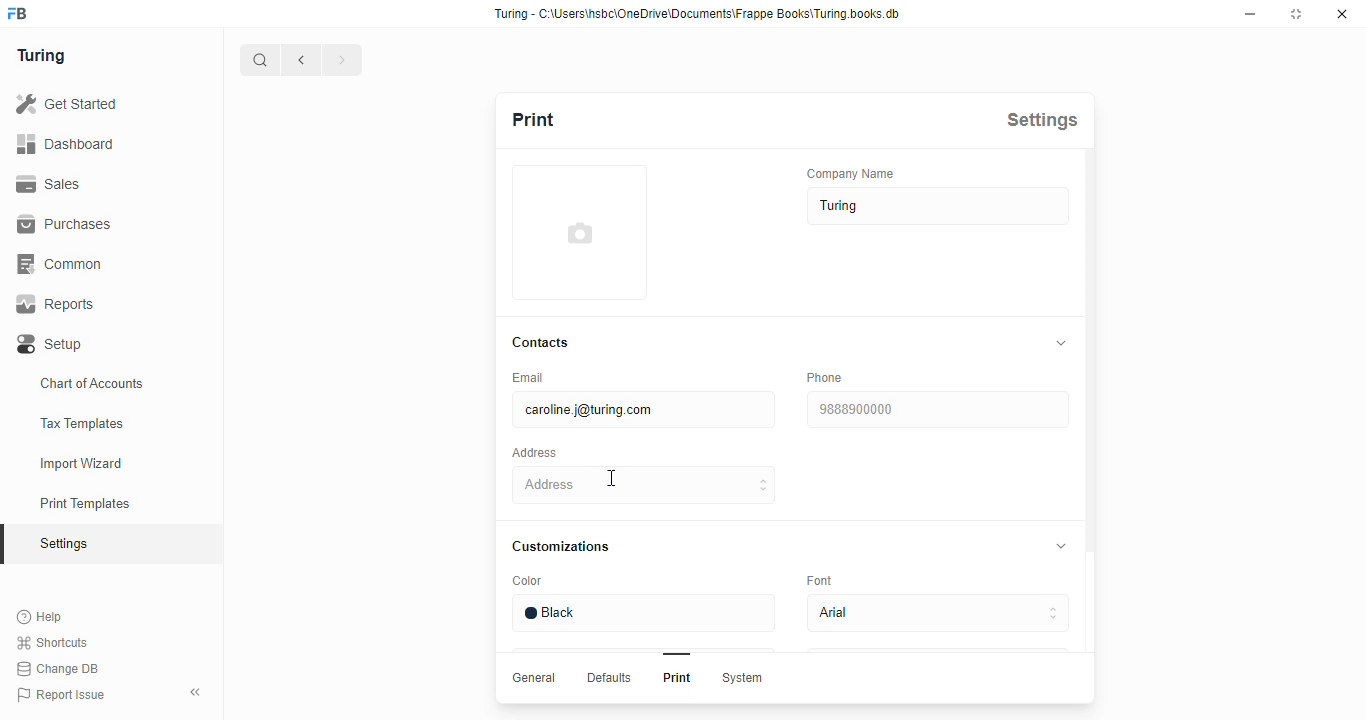  I want to click on change DB, so click(57, 669).